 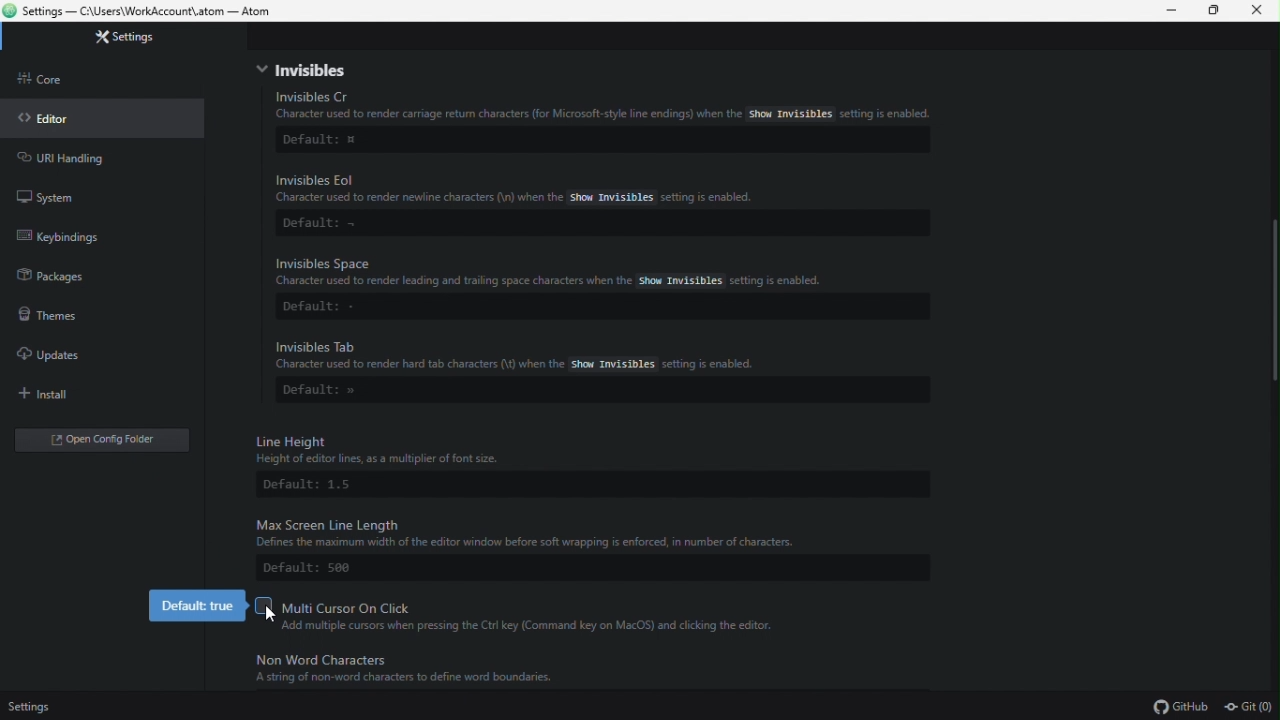 I want to click on Package, so click(x=71, y=281).